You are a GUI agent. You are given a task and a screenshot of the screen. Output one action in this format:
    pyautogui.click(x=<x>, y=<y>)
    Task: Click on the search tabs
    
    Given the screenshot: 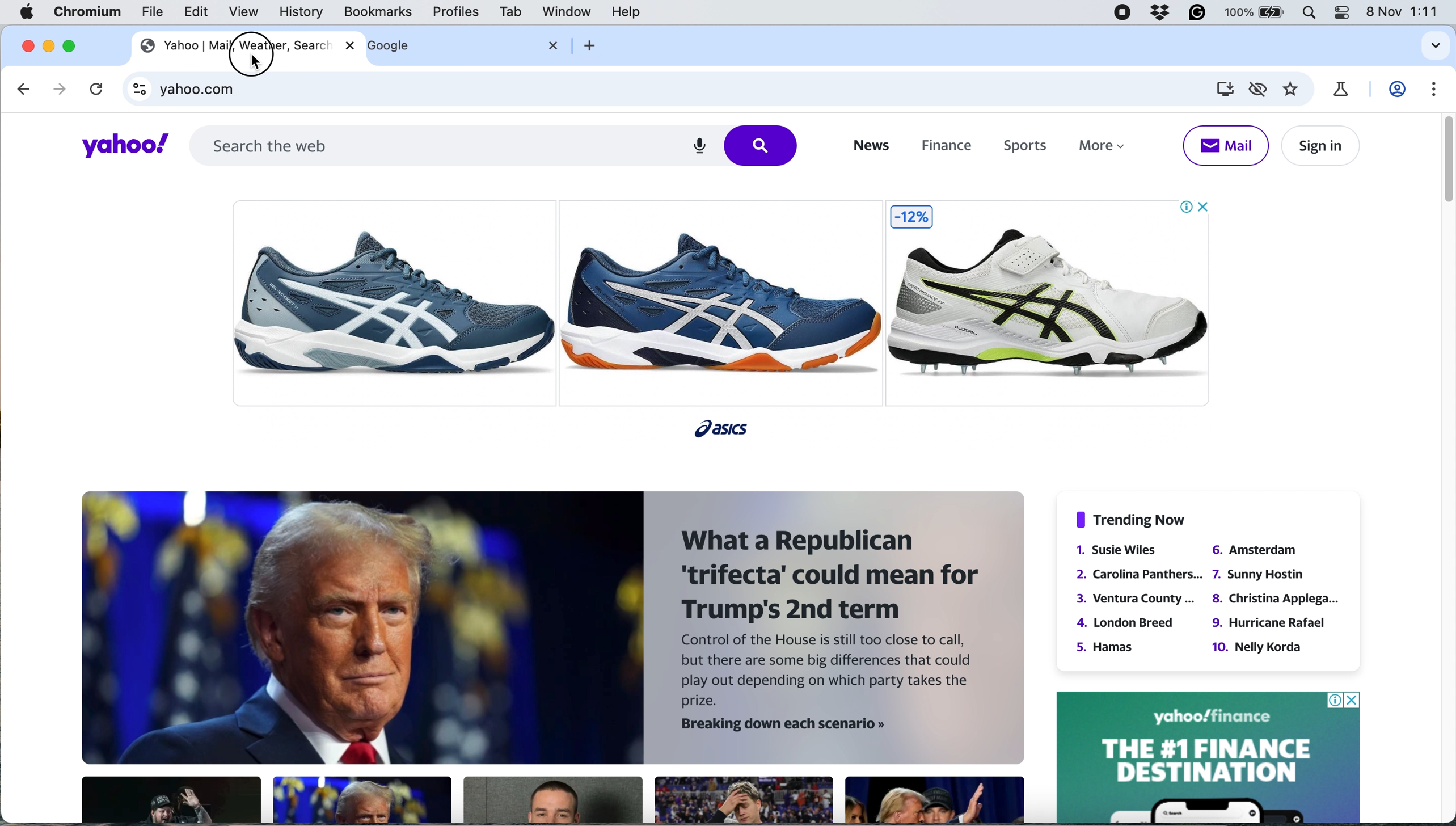 What is the action you would take?
    pyautogui.click(x=1432, y=47)
    